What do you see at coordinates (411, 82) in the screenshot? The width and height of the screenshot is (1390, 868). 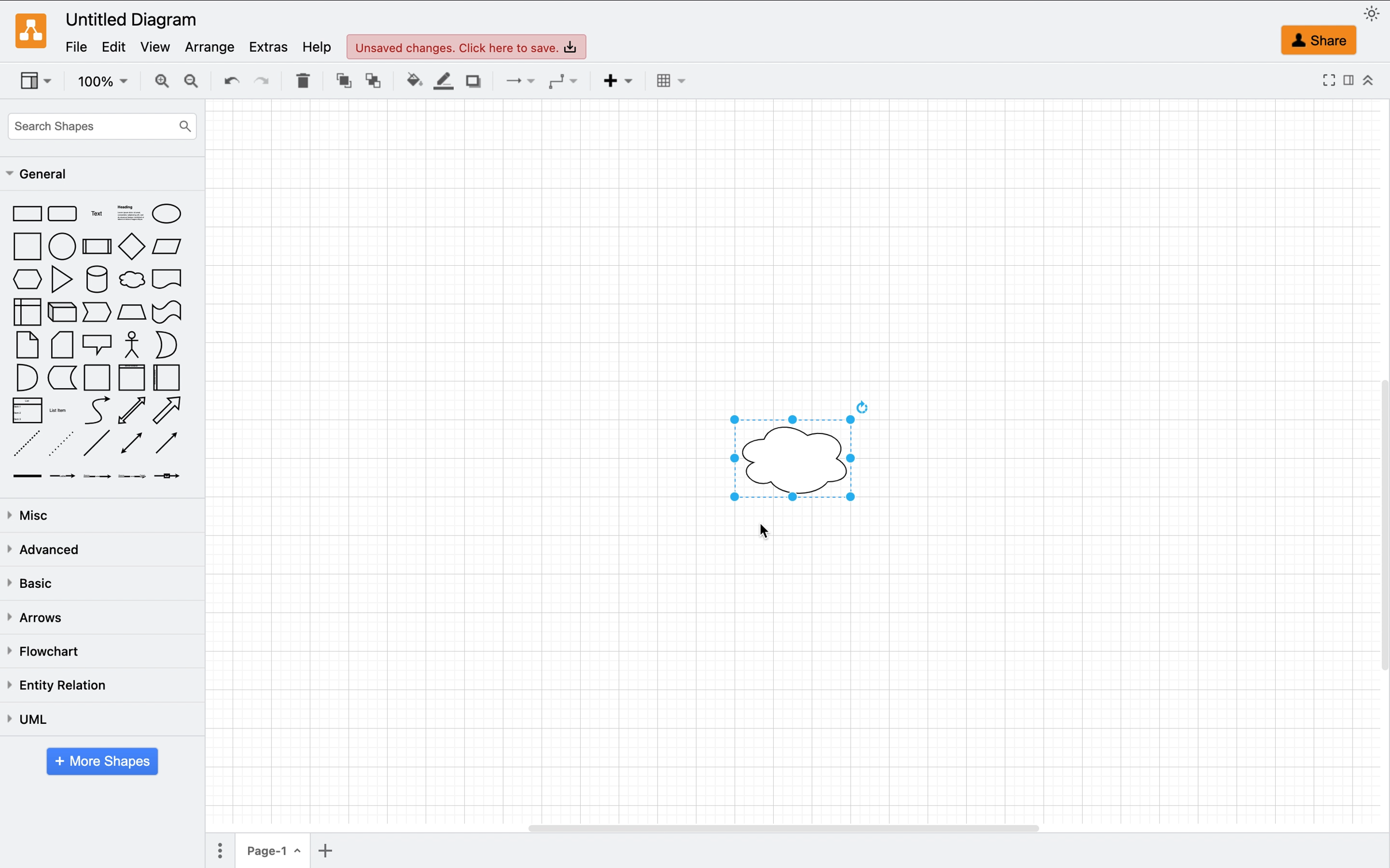 I see `fill color` at bounding box center [411, 82].